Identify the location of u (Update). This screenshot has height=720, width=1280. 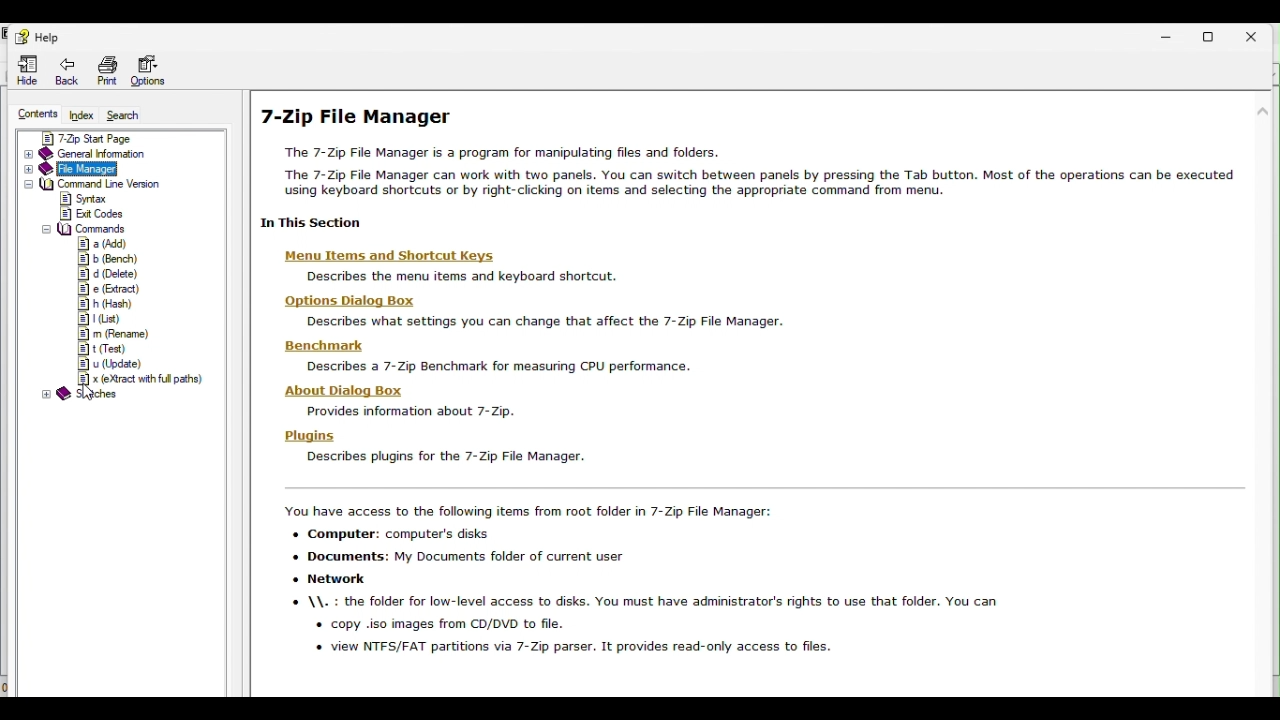
(113, 364).